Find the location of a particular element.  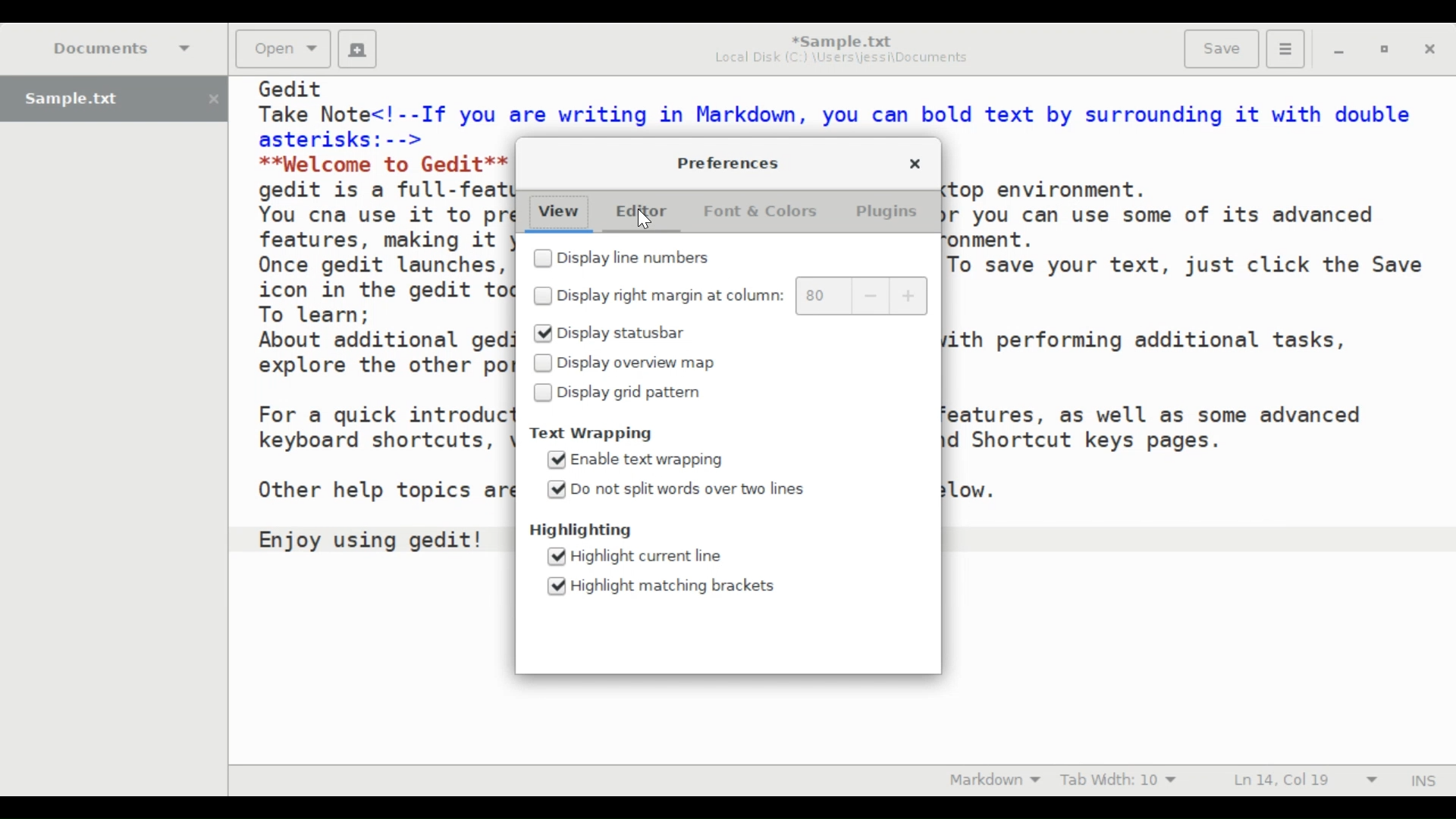

(un)select right margin at column is located at coordinates (659, 295).